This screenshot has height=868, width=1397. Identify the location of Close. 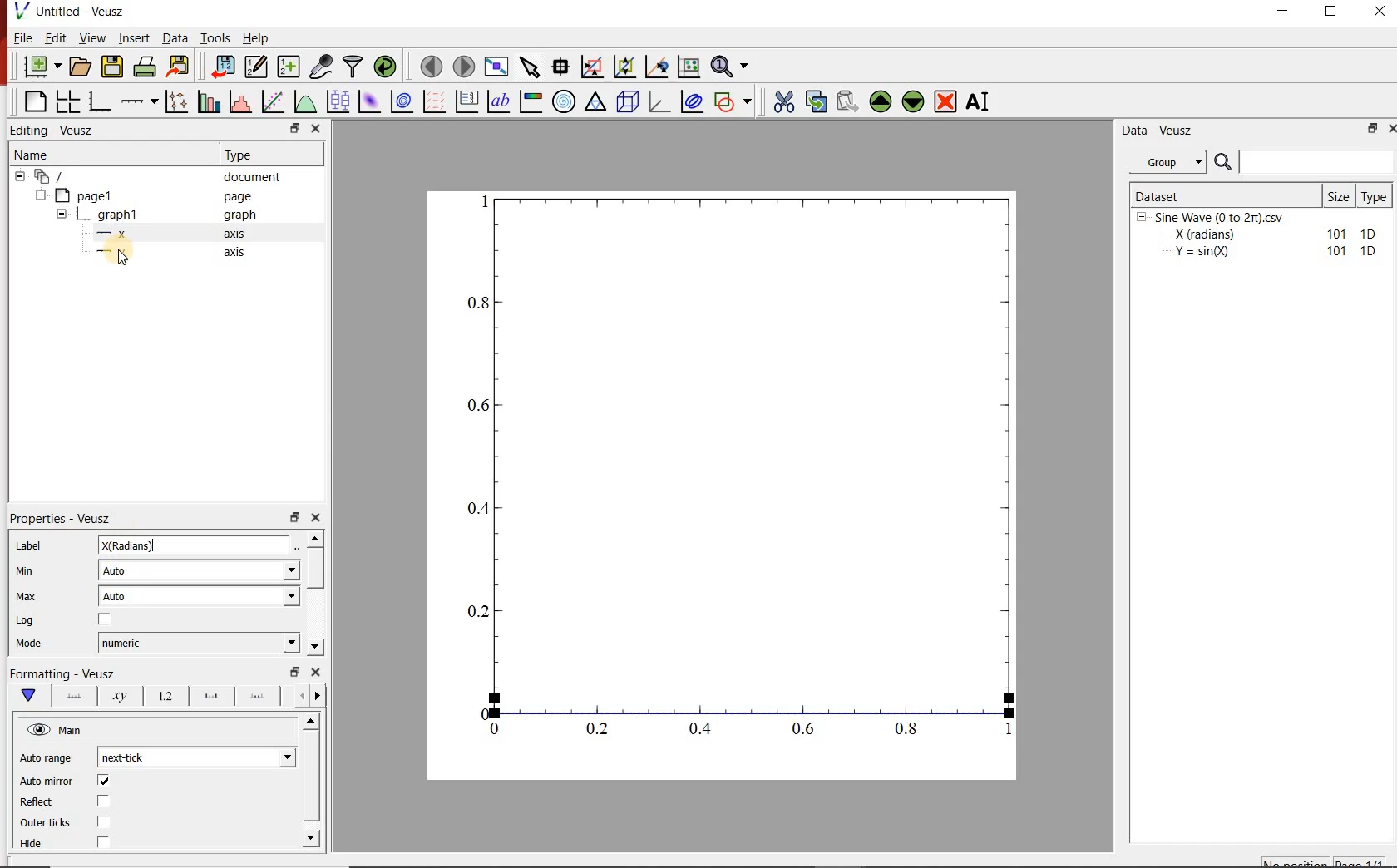
(1381, 11).